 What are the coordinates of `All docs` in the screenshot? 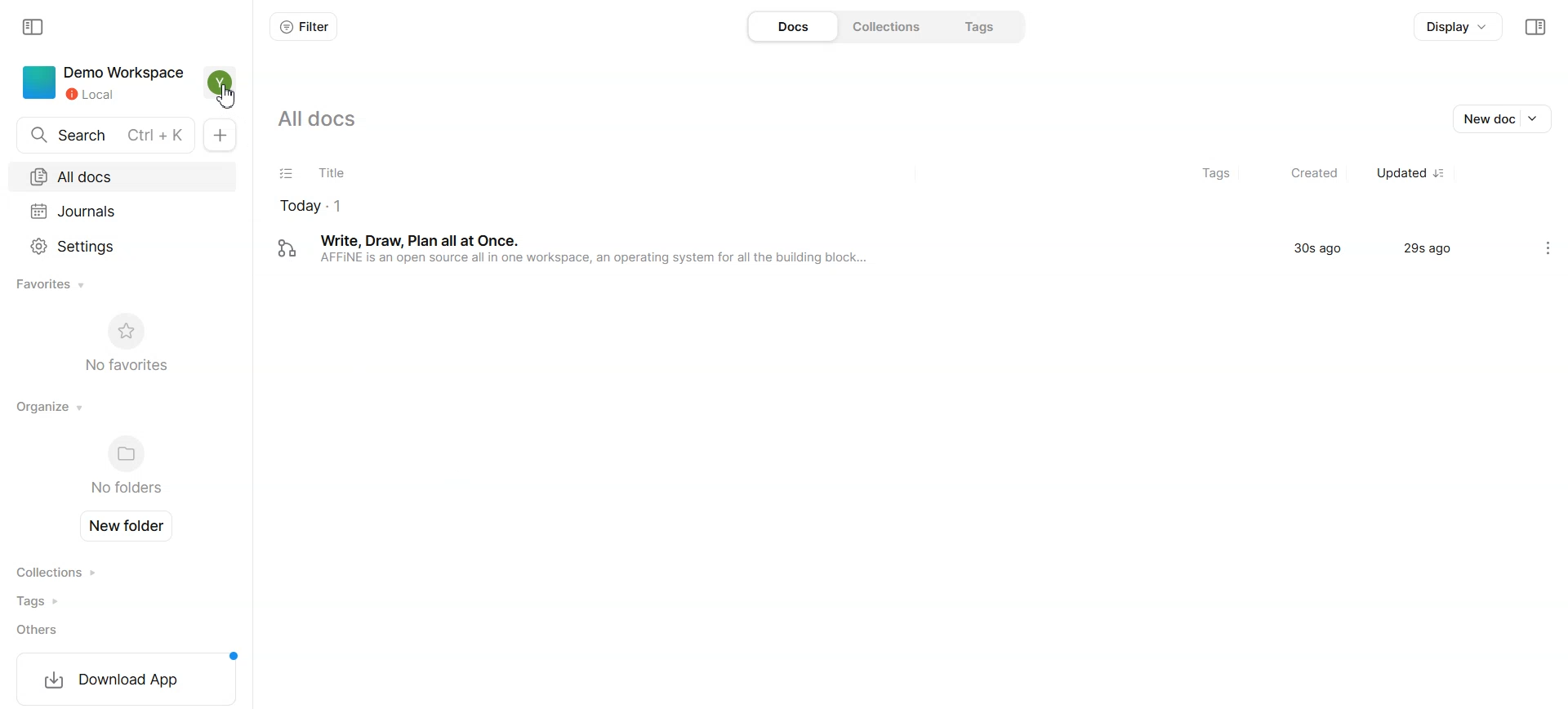 It's located at (127, 175).